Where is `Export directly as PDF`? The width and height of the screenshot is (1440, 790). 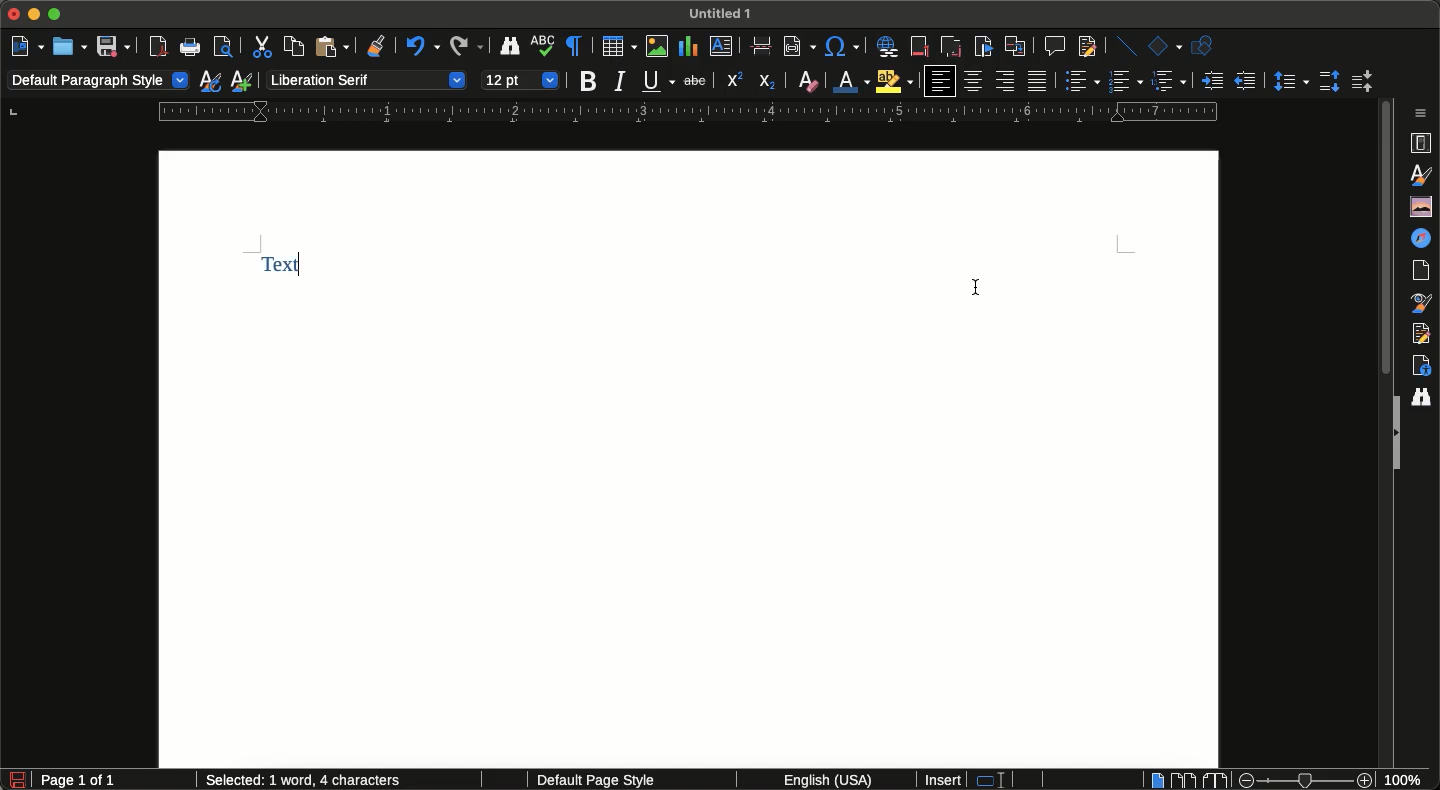
Export directly as PDF is located at coordinates (159, 47).